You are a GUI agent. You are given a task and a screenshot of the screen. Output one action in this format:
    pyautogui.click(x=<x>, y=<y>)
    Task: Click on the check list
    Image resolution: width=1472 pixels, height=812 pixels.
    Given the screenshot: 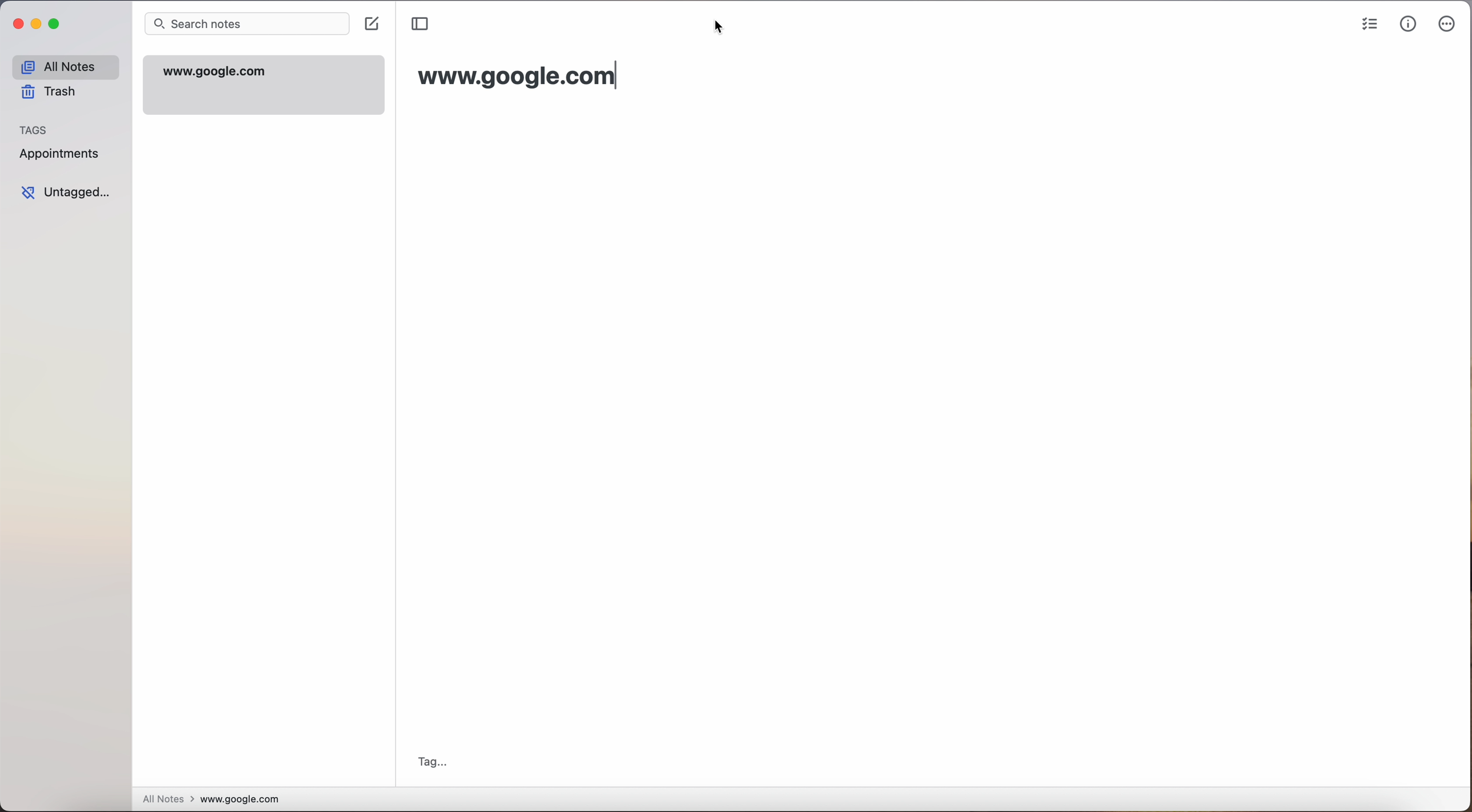 What is the action you would take?
    pyautogui.click(x=1371, y=26)
    